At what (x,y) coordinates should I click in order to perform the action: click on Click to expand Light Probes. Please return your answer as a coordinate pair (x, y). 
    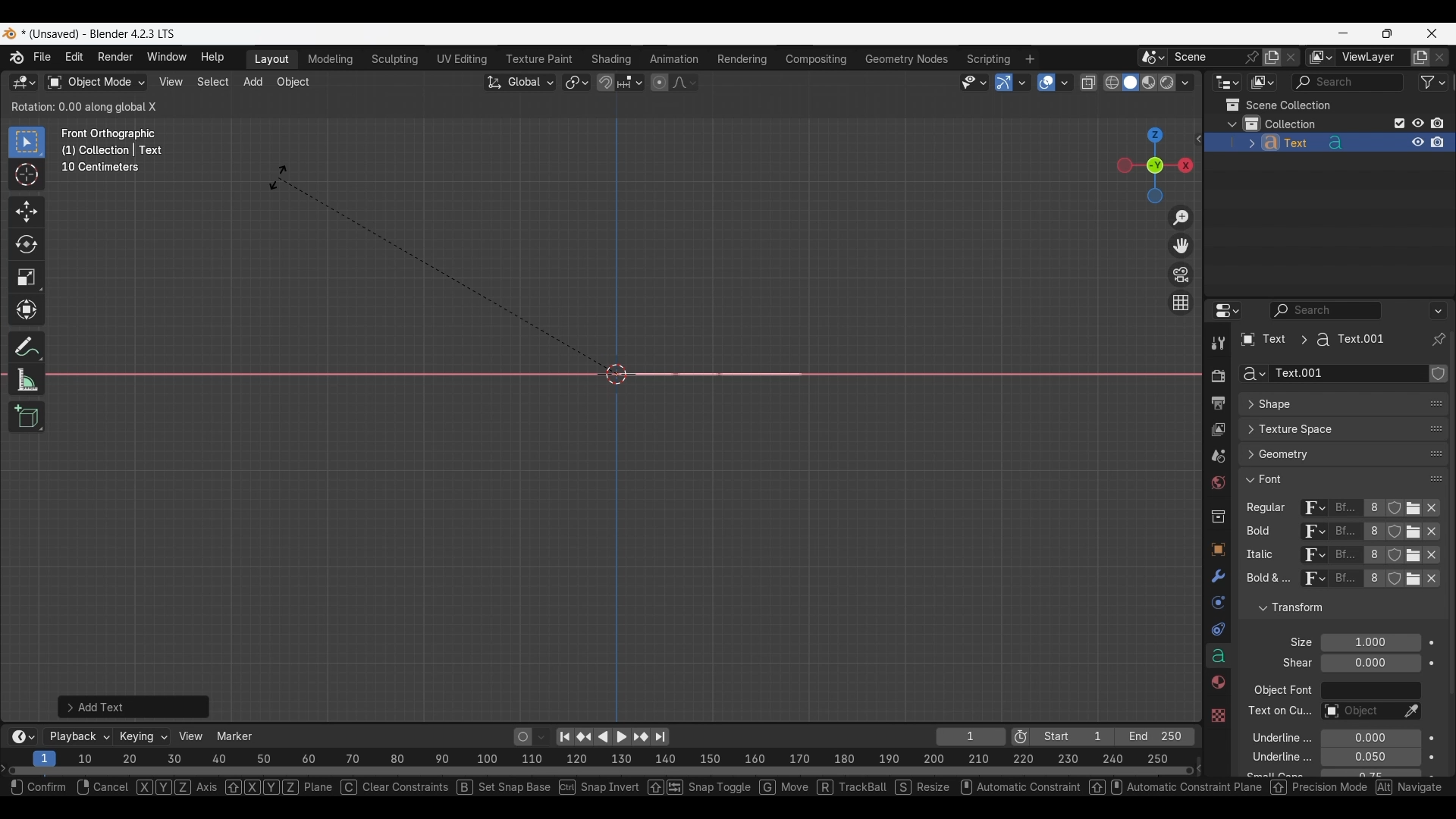
    Looking at the image, I should click on (1291, 642).